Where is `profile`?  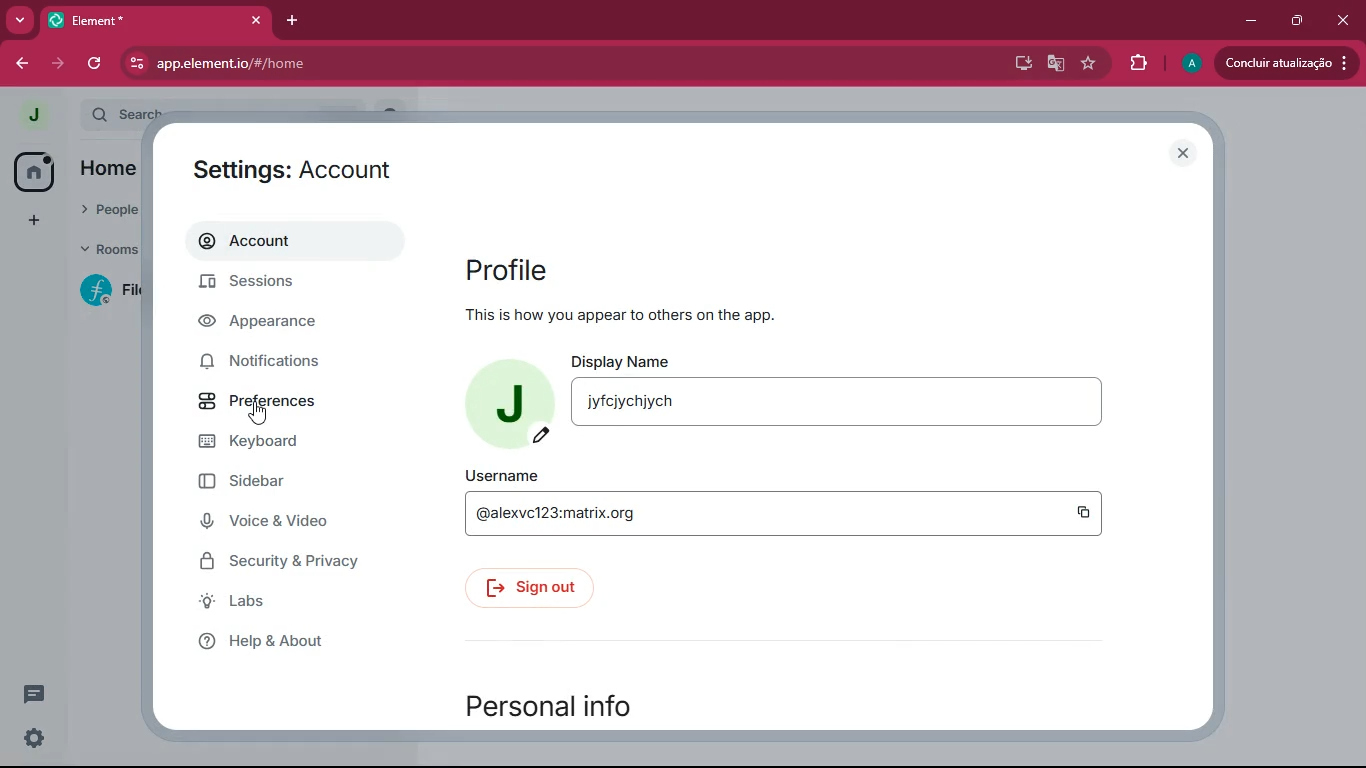 profile is located at coordinates (511, 268).